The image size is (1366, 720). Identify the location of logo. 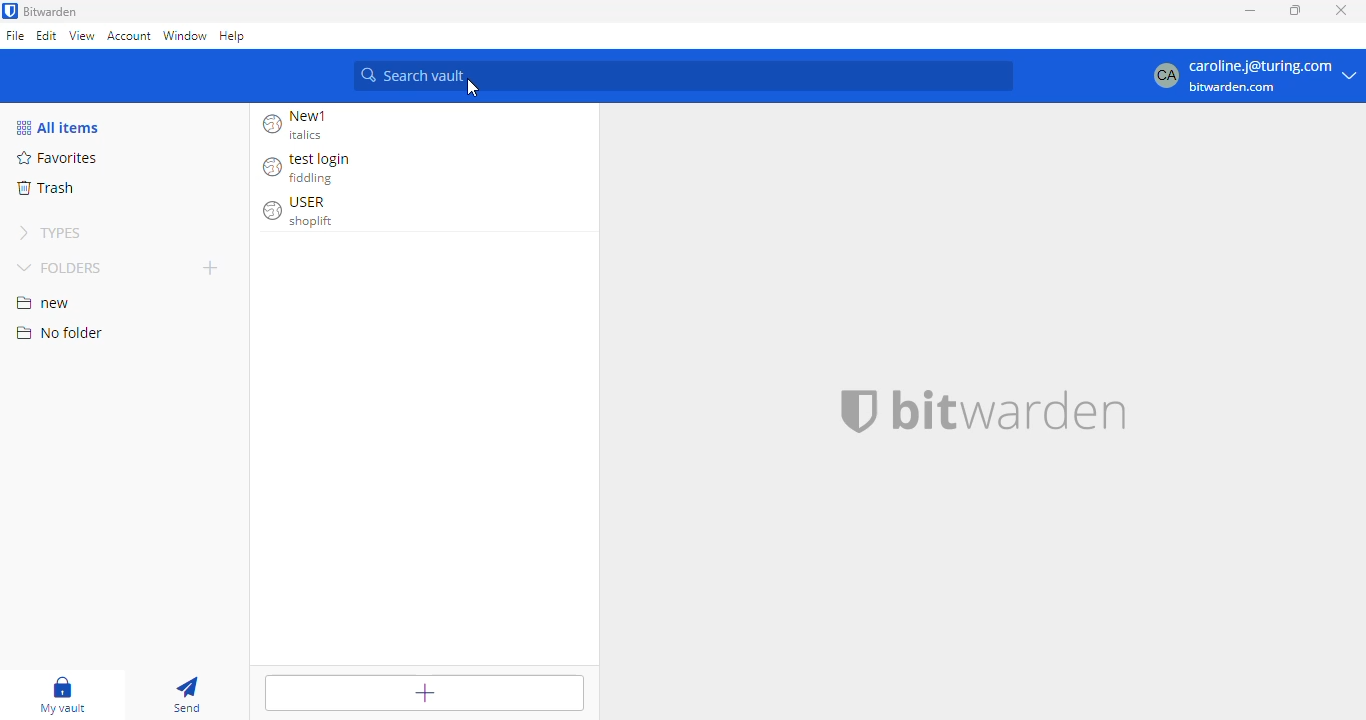
(10, 10).